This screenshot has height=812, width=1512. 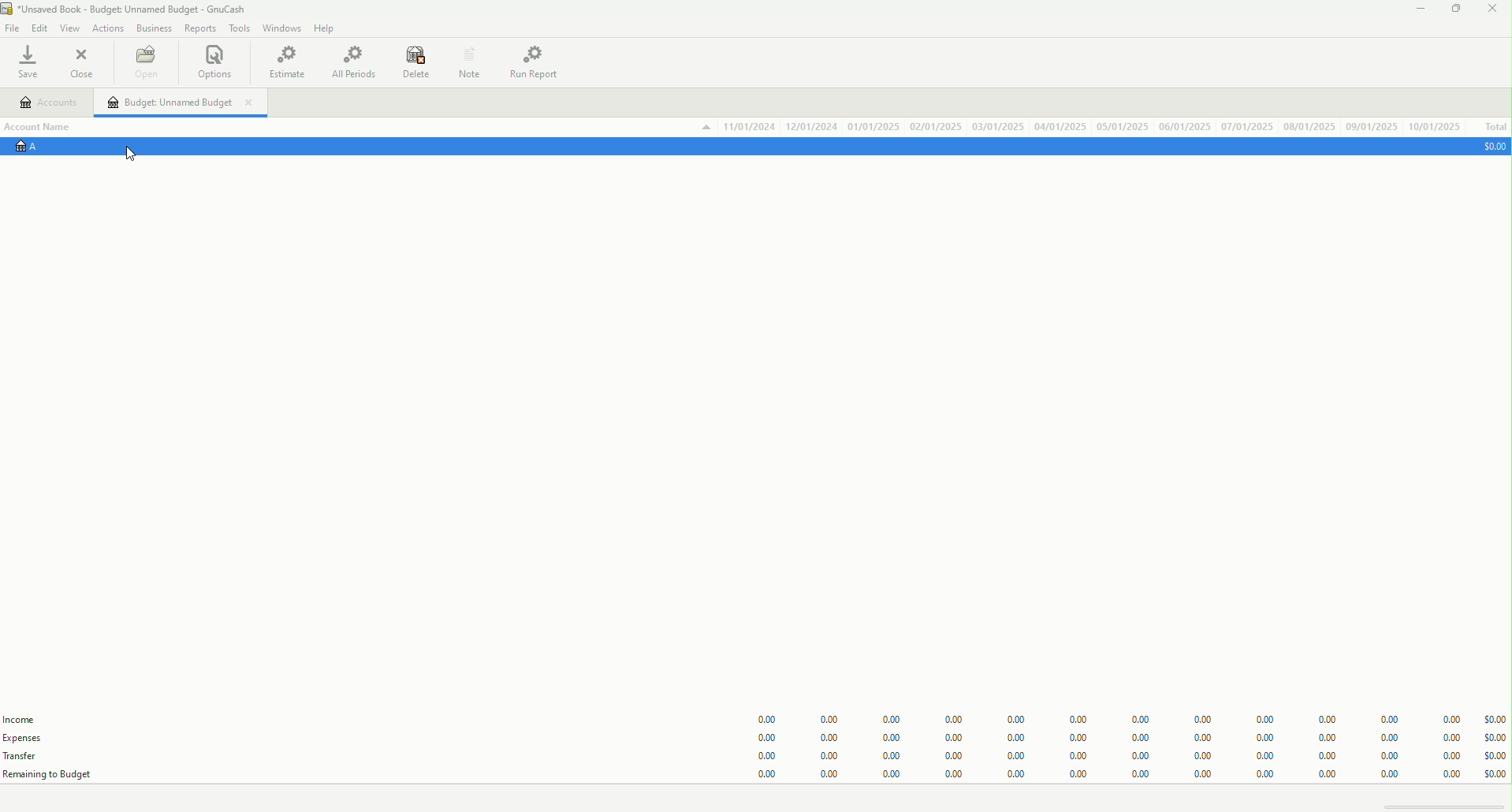 I want to click on Delete, so click(x=410, y=61).